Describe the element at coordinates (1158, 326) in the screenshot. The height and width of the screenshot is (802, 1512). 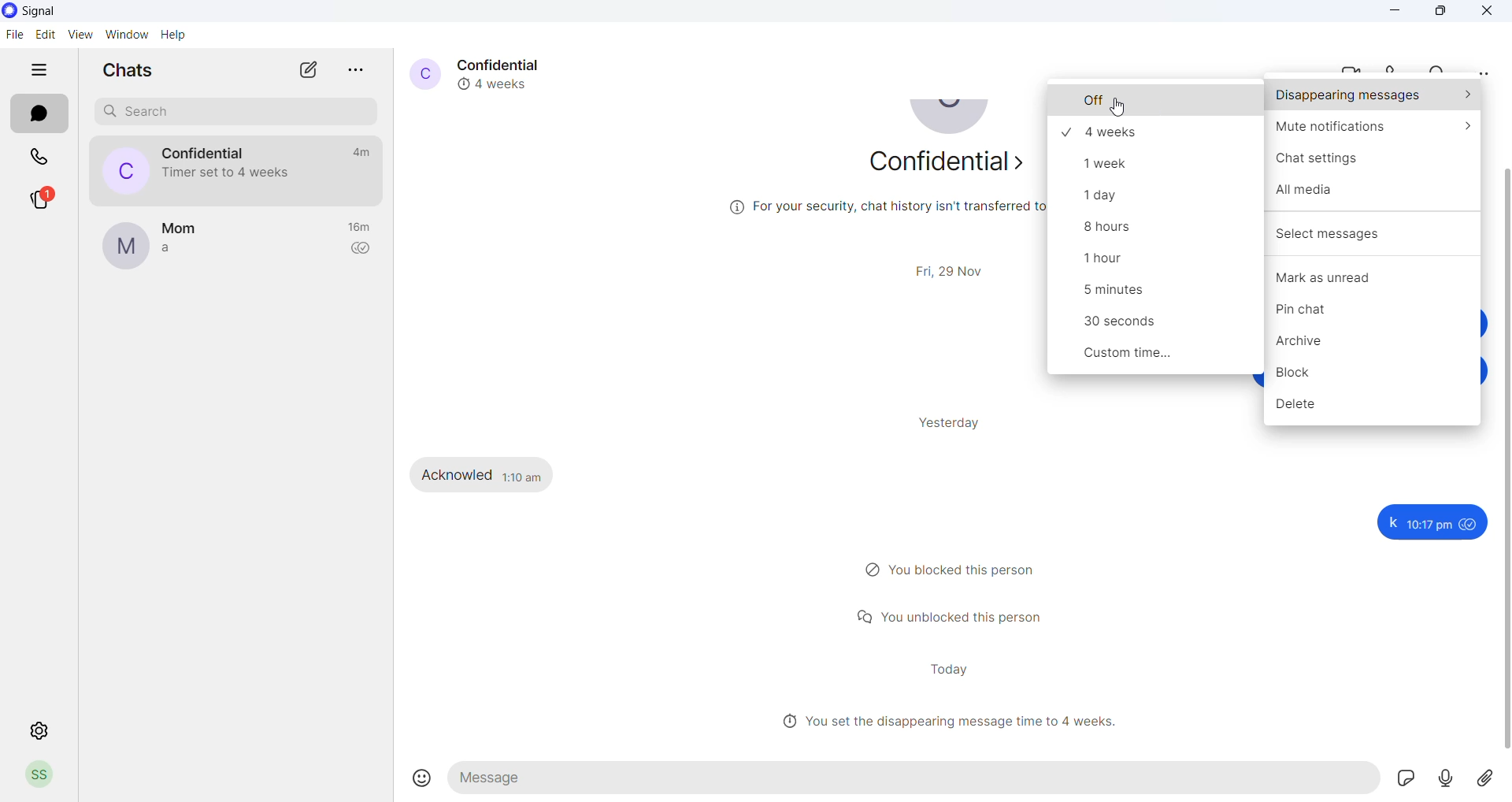
I see `disappearing messages timeframe` at that location.